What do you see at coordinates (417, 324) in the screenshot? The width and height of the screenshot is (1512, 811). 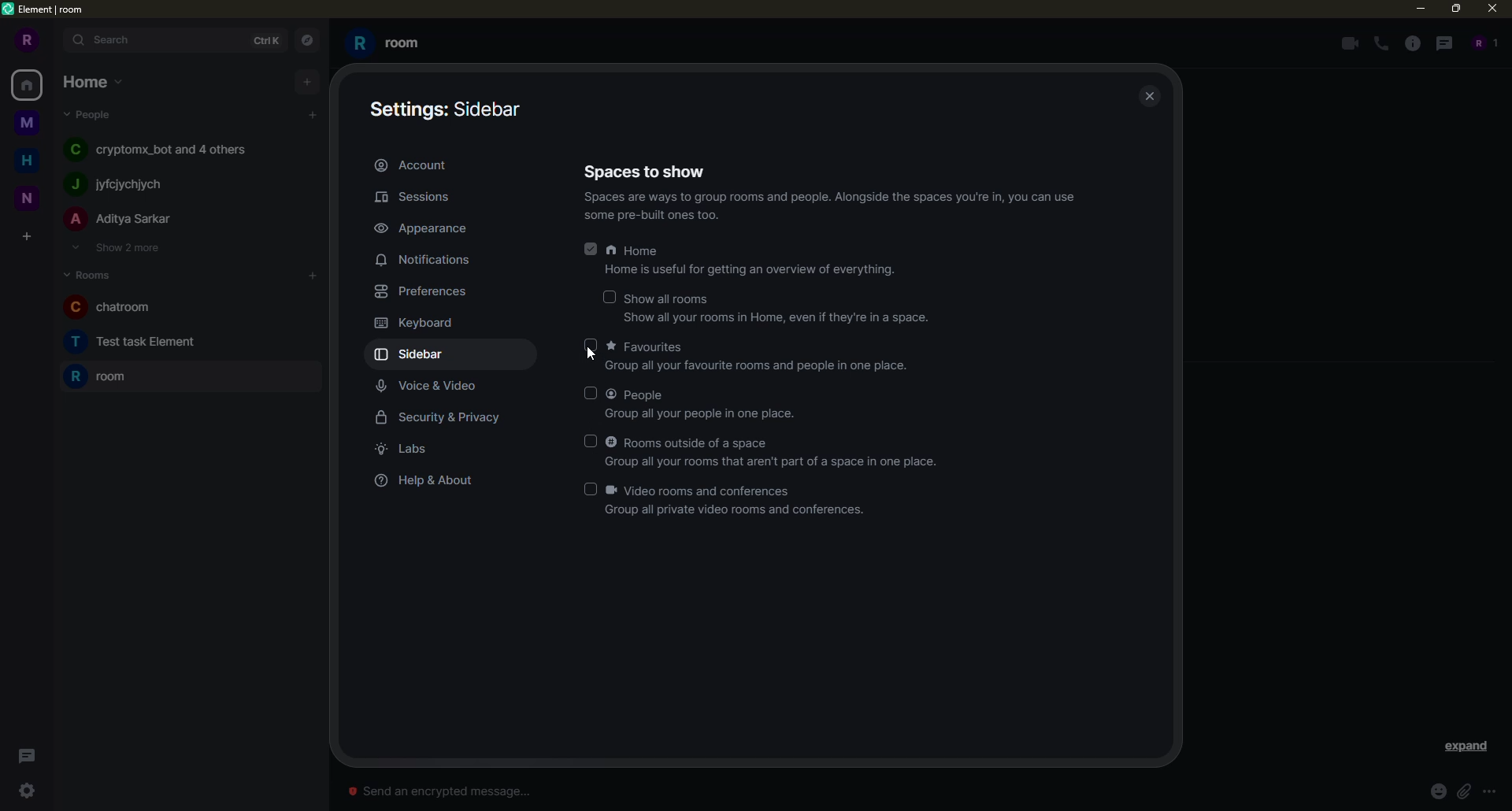 I see `keyboard` at bounding box center [417, 324].